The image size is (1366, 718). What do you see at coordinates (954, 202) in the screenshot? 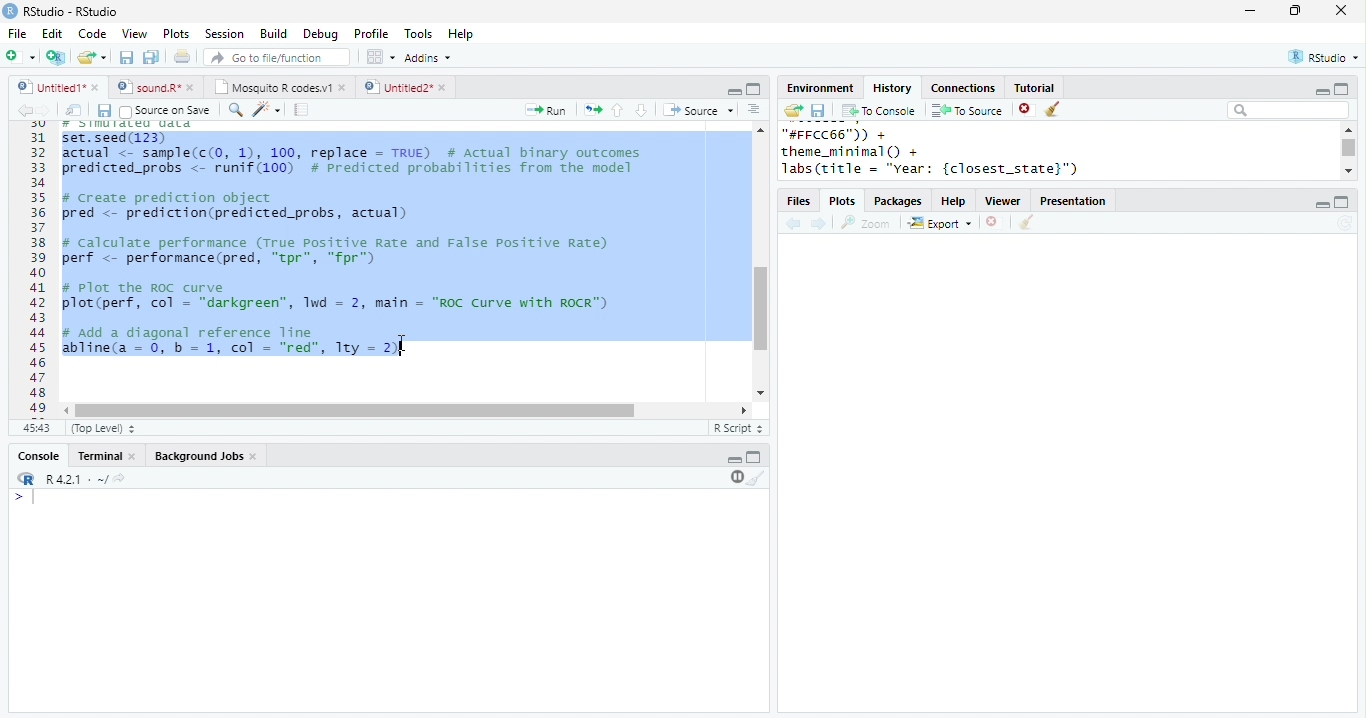
I see `help` at bounding box center [954, 202].